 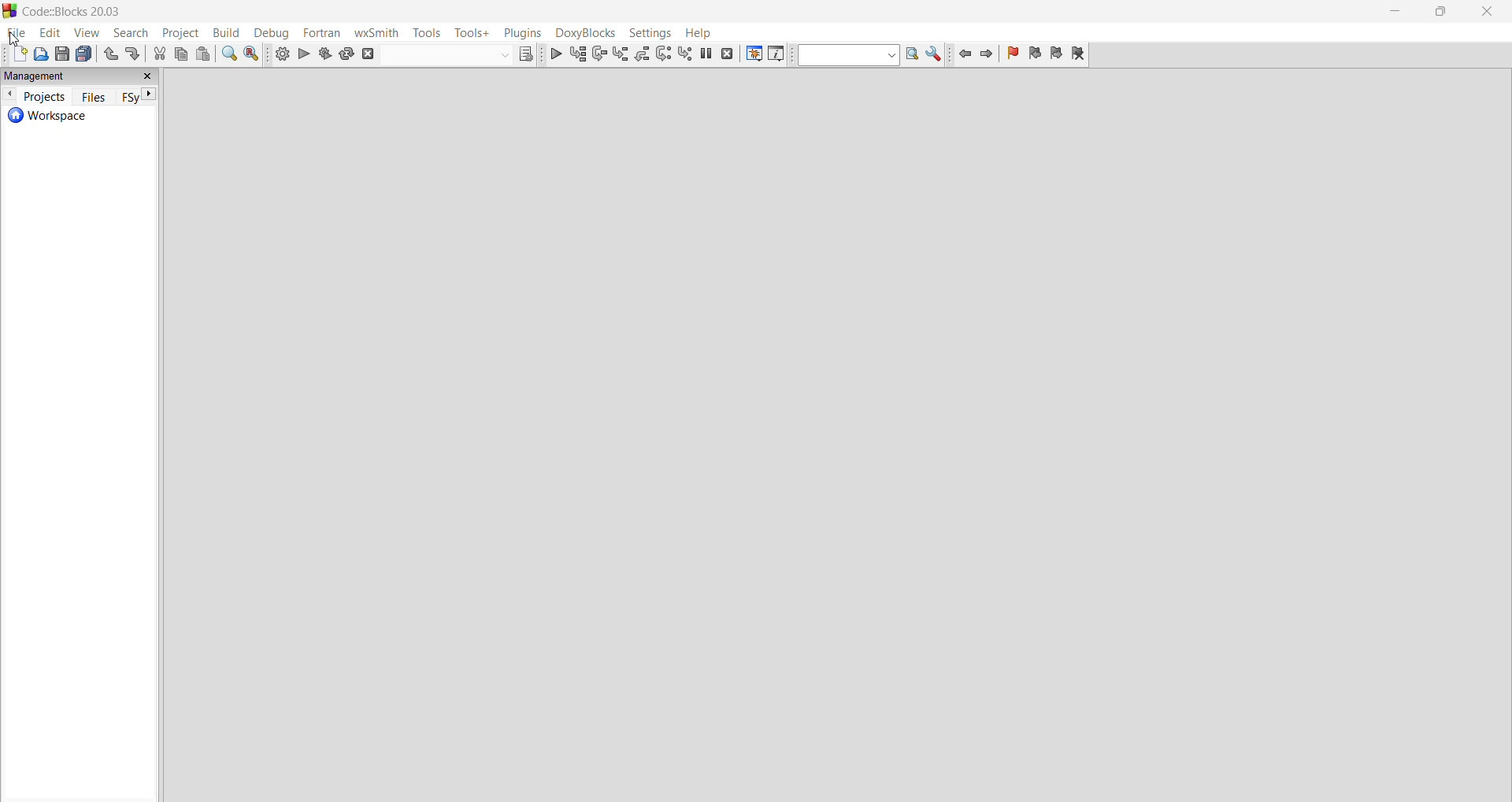 I want to click on add new, so click(x=18, y=54).